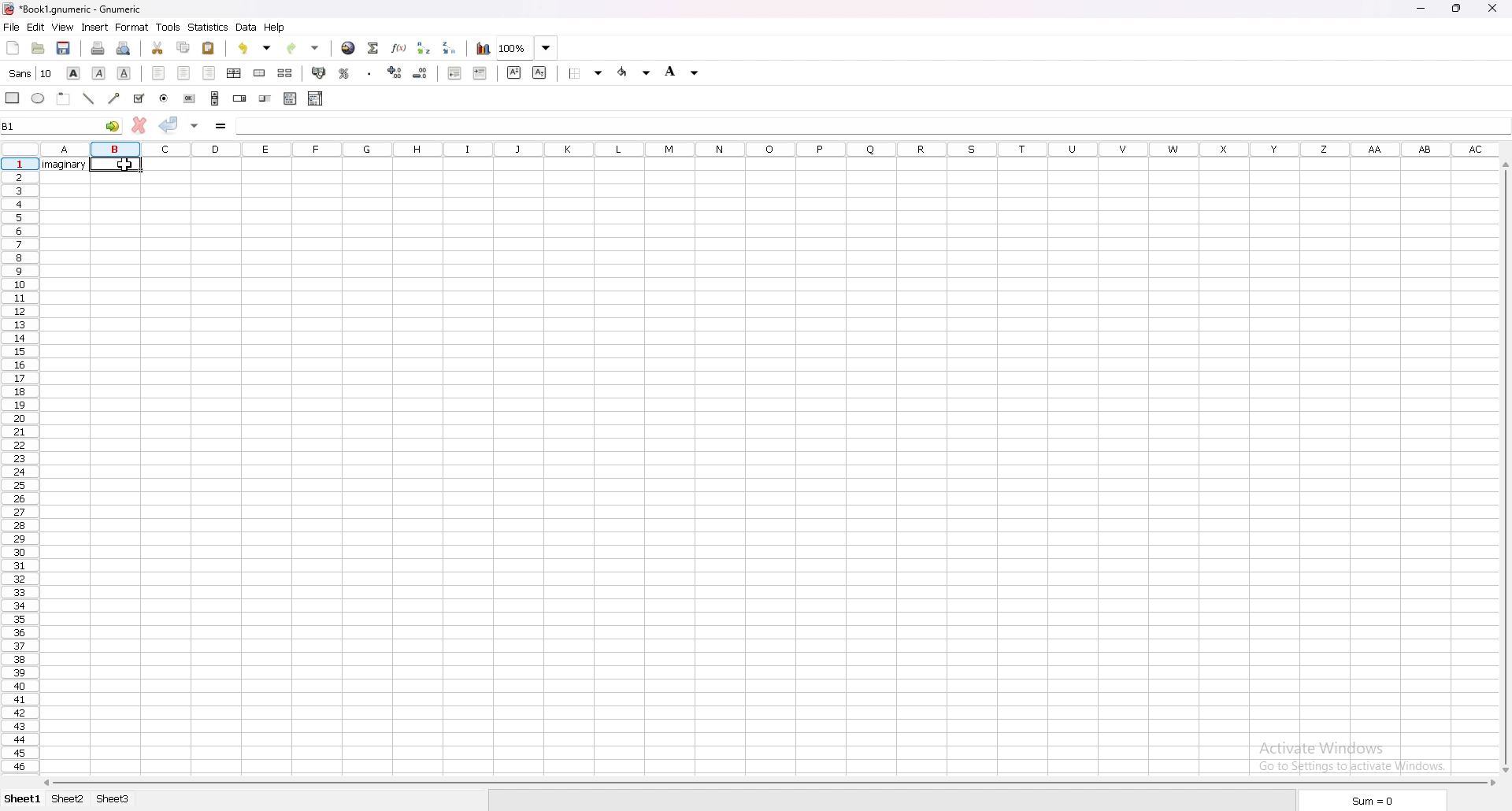 Image resolution: width=1512 pixels, height=811 pixels. What do you see at coordinates (872, 124) in the screenshot?
I see `cell input` at bounding box center [872, 124].